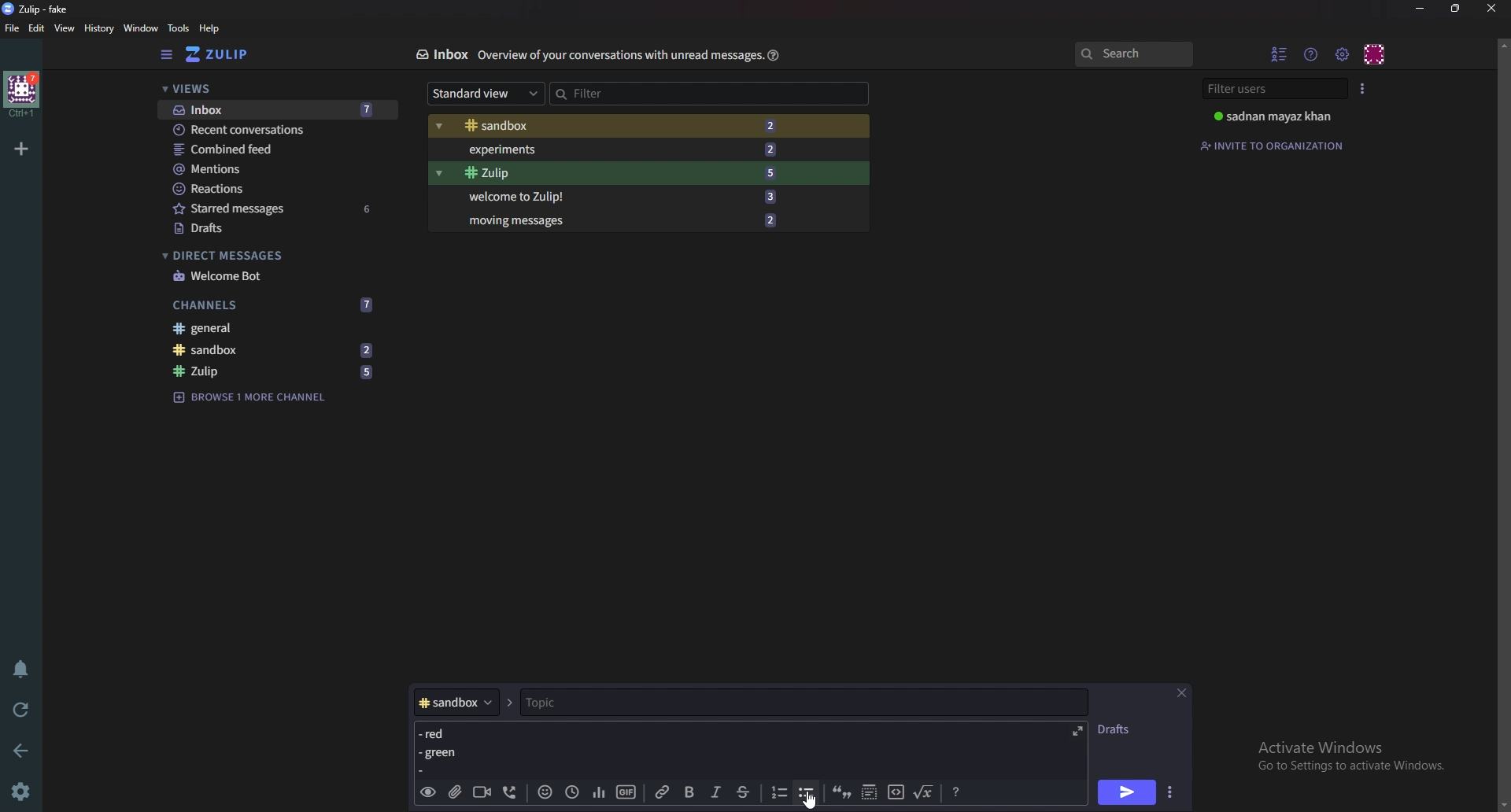 This screenshot has width=1511, height=812. I want to click on Cursor, so click(814, 799).